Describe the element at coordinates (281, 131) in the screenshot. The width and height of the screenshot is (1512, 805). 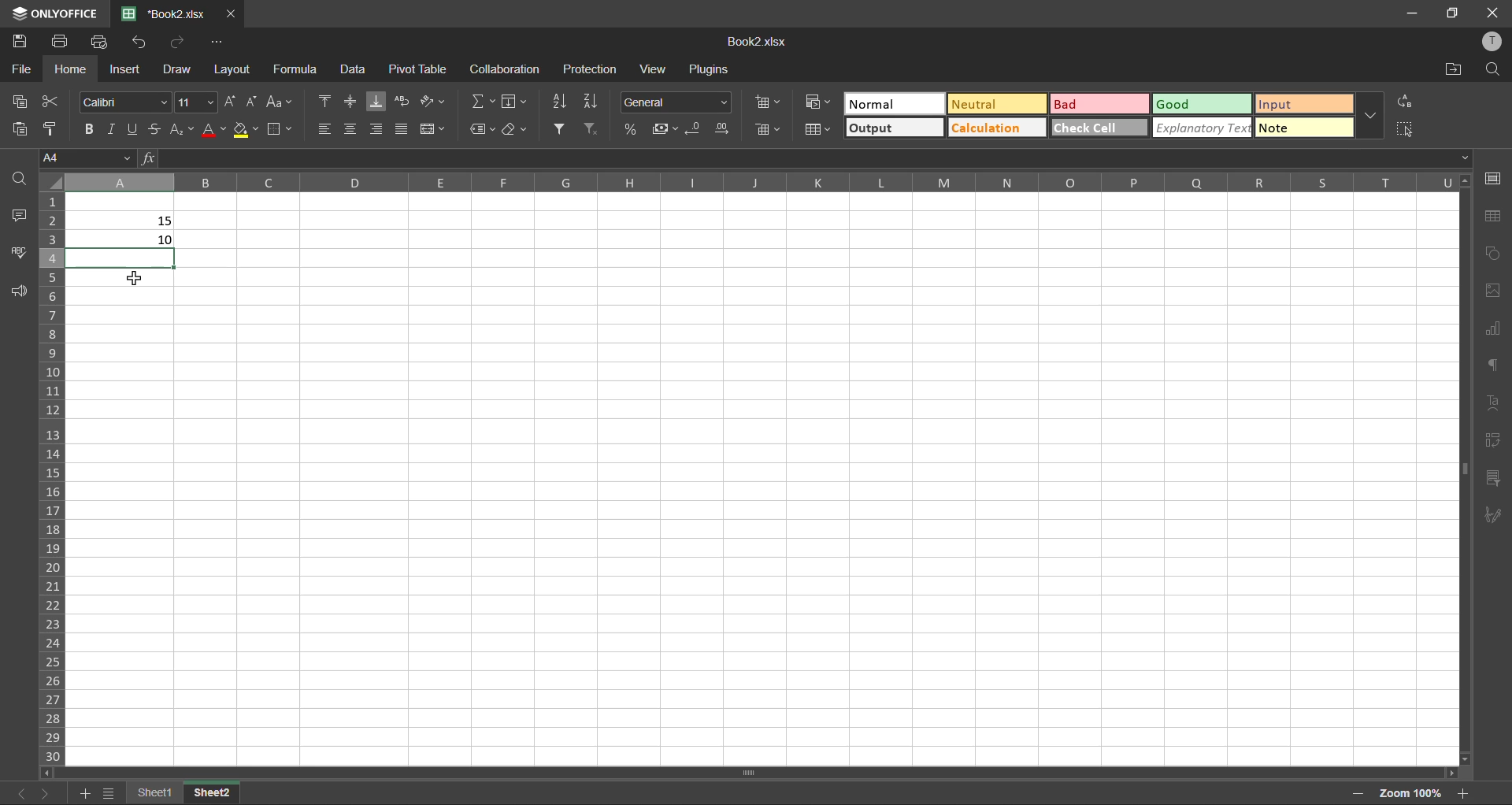
I see `borders` at that location.